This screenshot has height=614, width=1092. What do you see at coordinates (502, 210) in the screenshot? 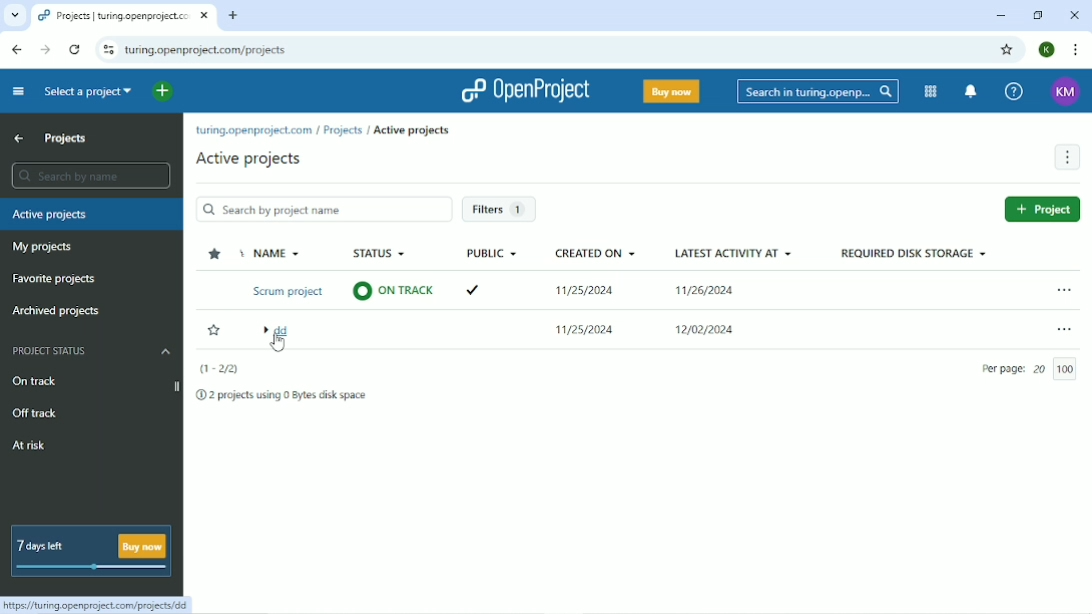
I see `Filters` at bounding box center [502, 210].